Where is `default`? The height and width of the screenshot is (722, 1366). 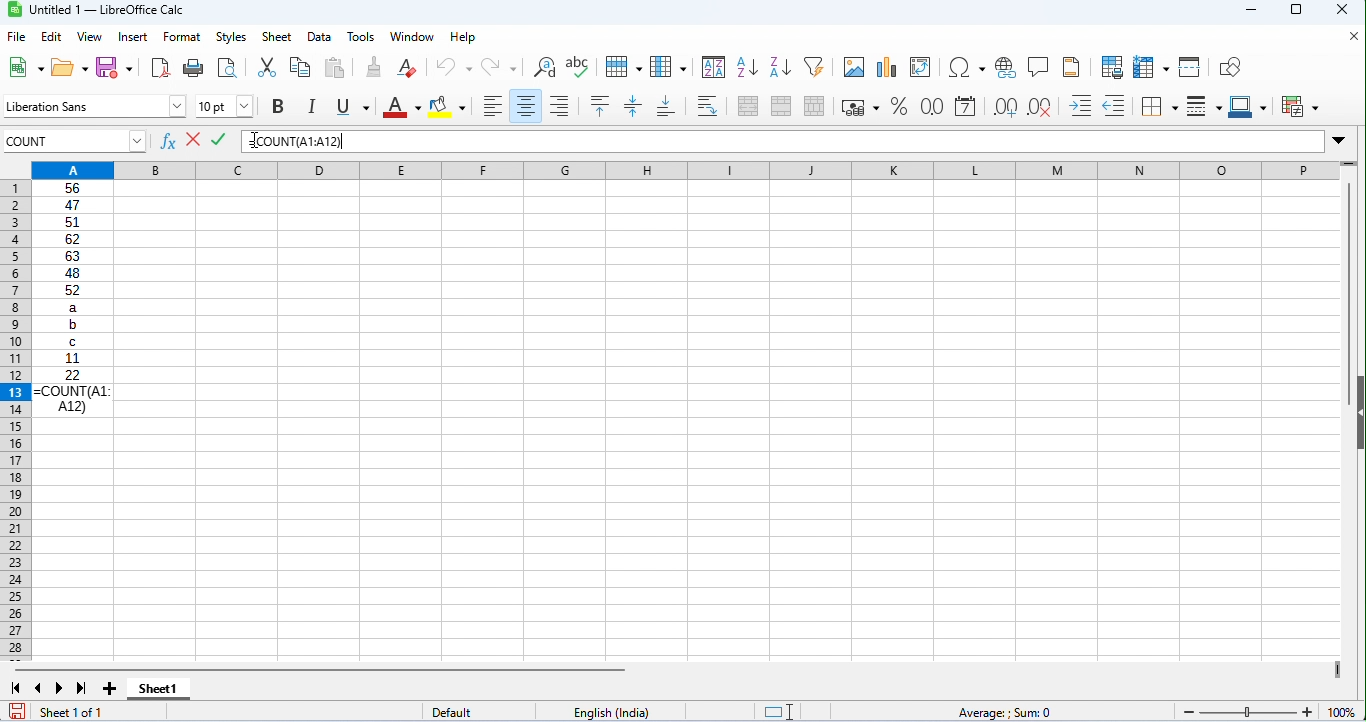
default is located at coordinates (478, 711).